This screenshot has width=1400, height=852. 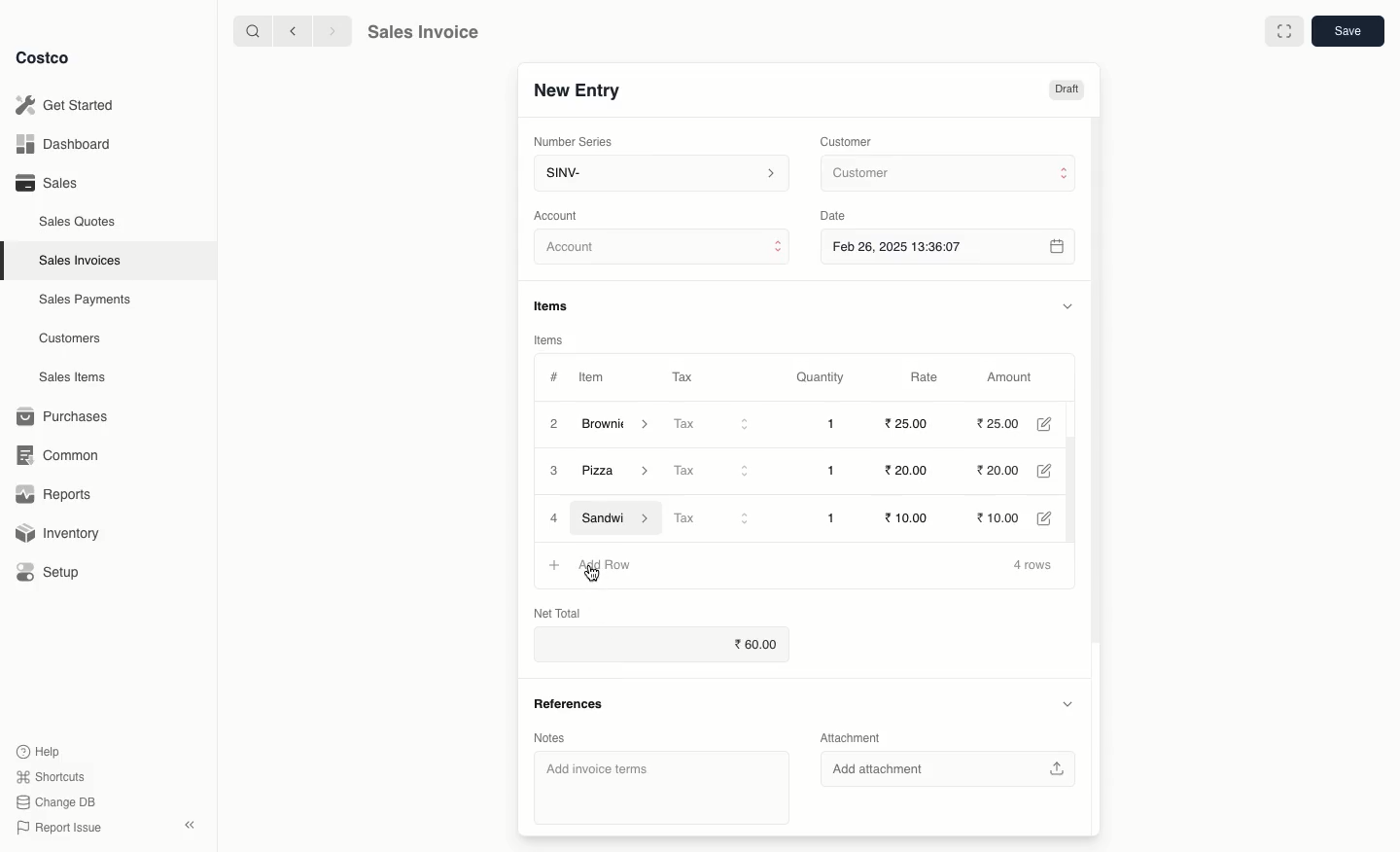 I want to click on Search, so click(x=250, y=30).